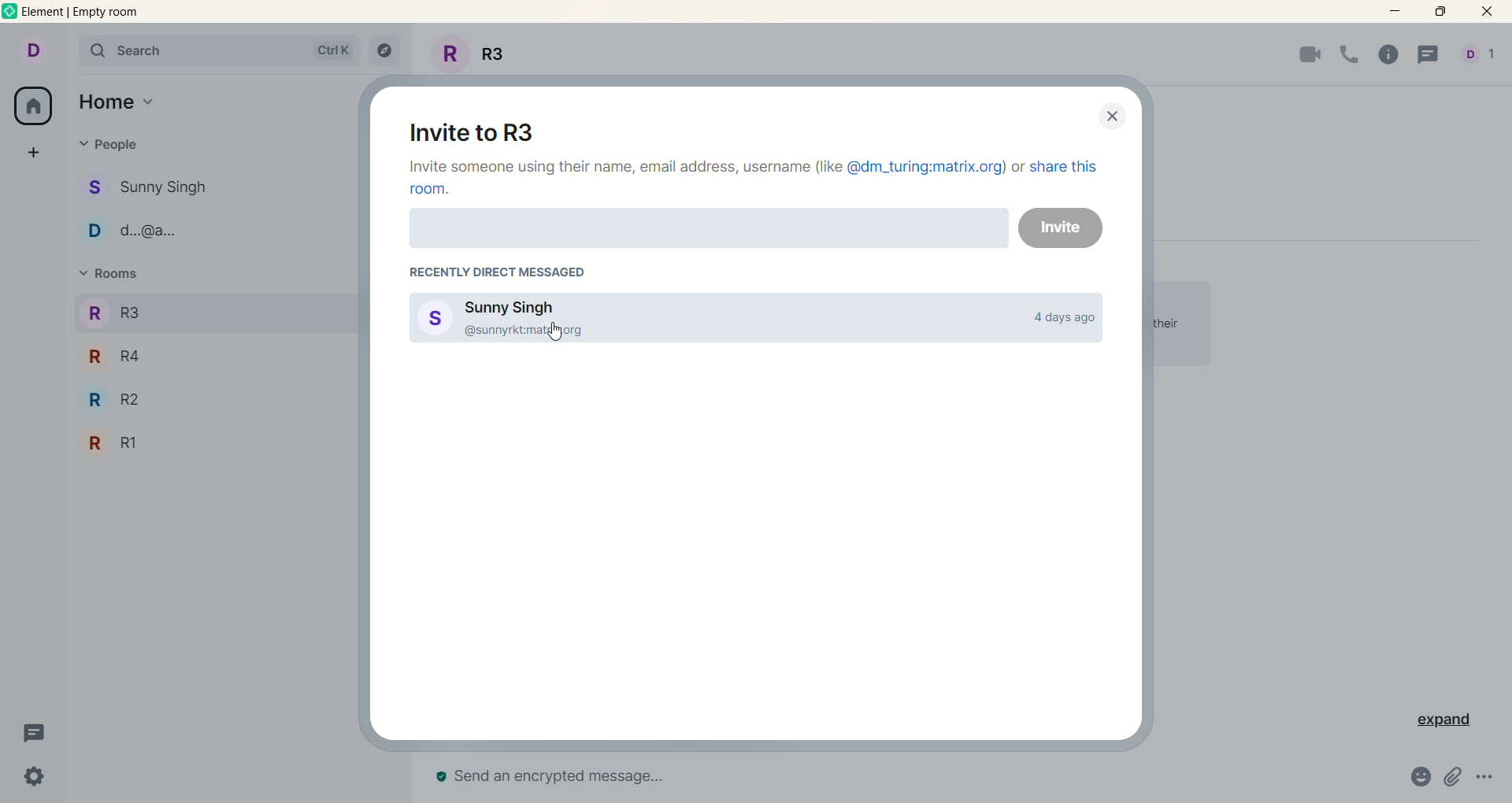 This screenshot has width=1512, height=803. Describe the element at coordinates (387, 52) in the screenshot. I see `explore rooms` at that location.